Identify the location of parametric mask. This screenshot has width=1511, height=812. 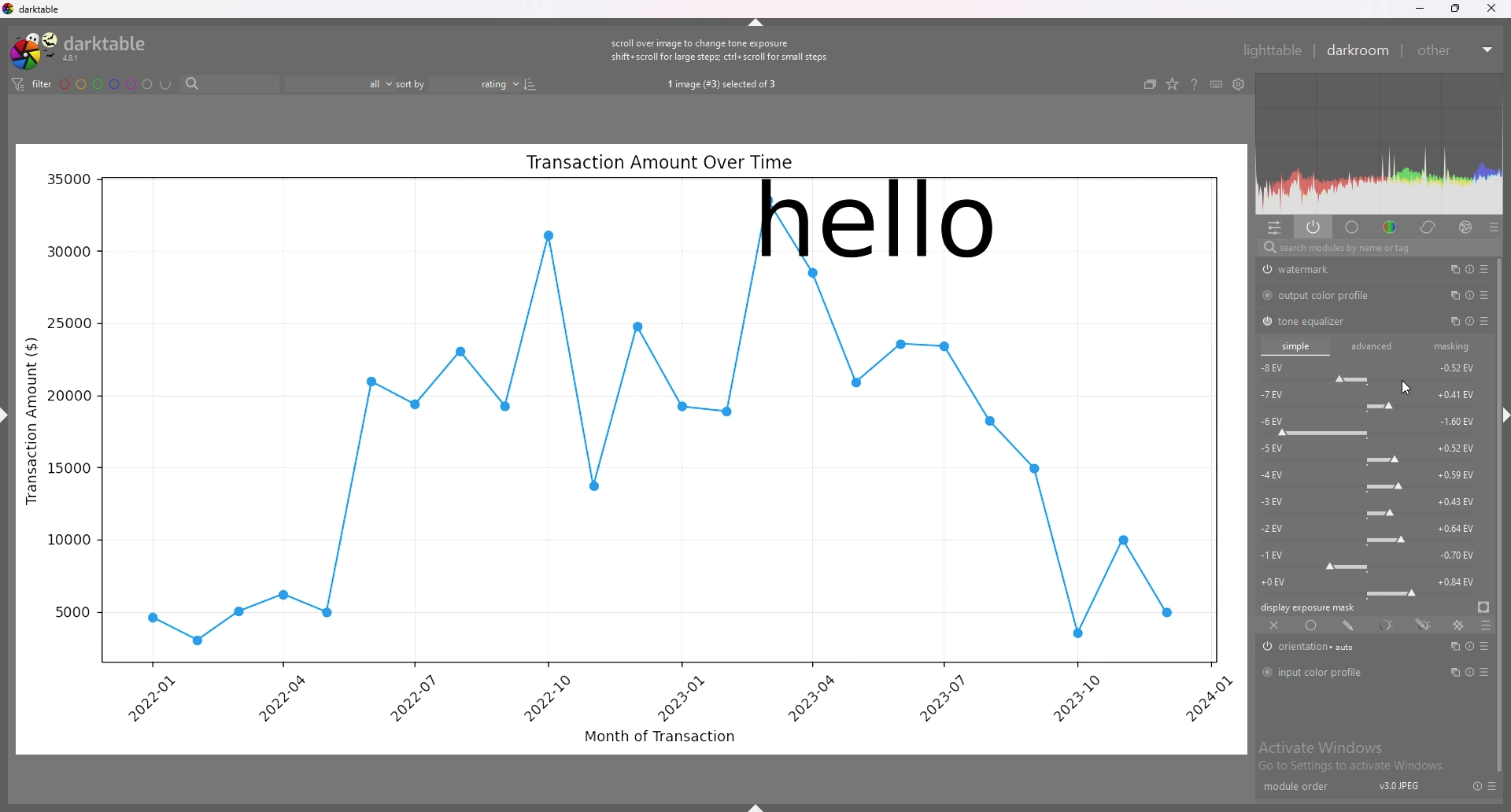
(1385, 625).